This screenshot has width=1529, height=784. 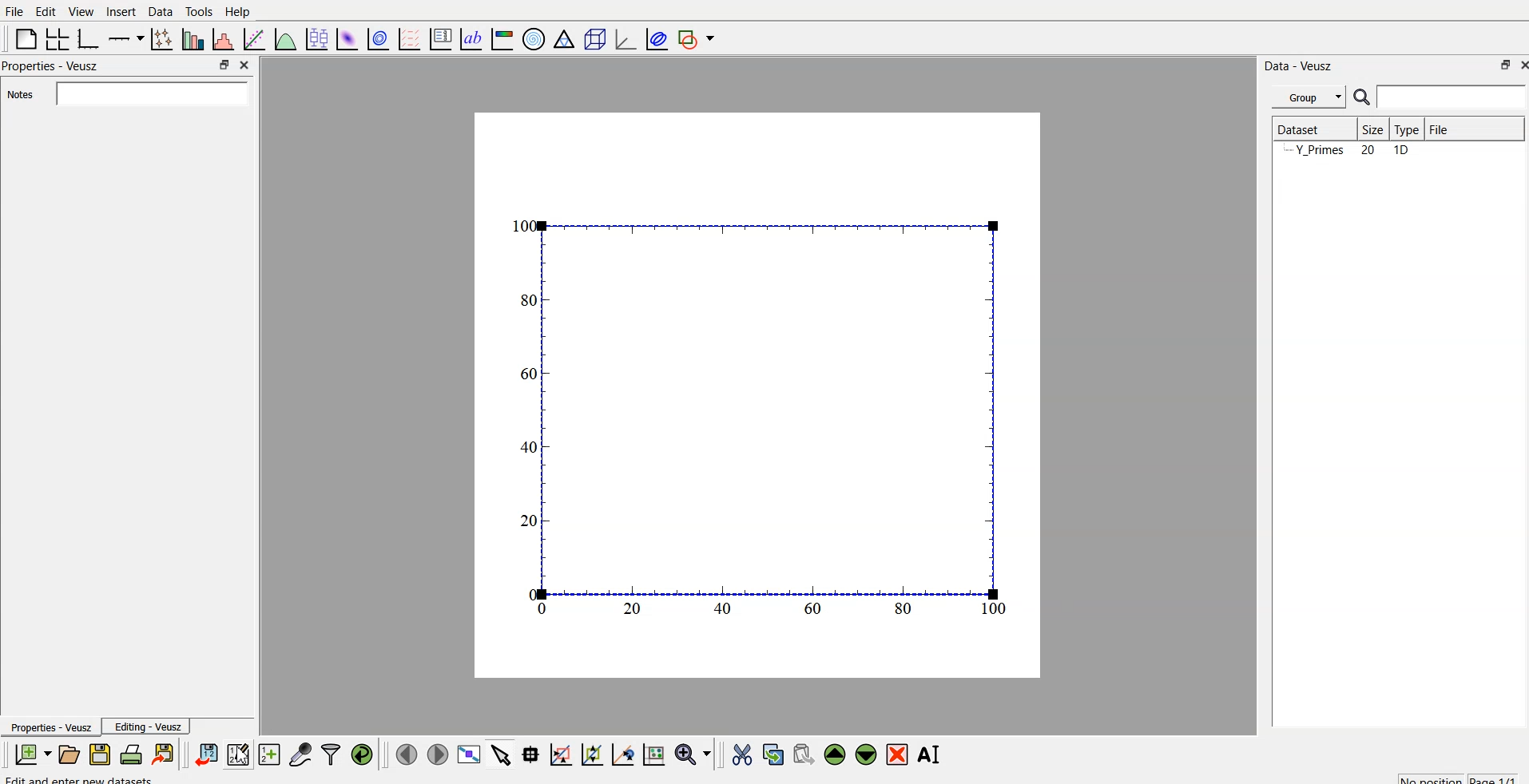 I want to click on add shape to plot, so click(x=701, y=37).